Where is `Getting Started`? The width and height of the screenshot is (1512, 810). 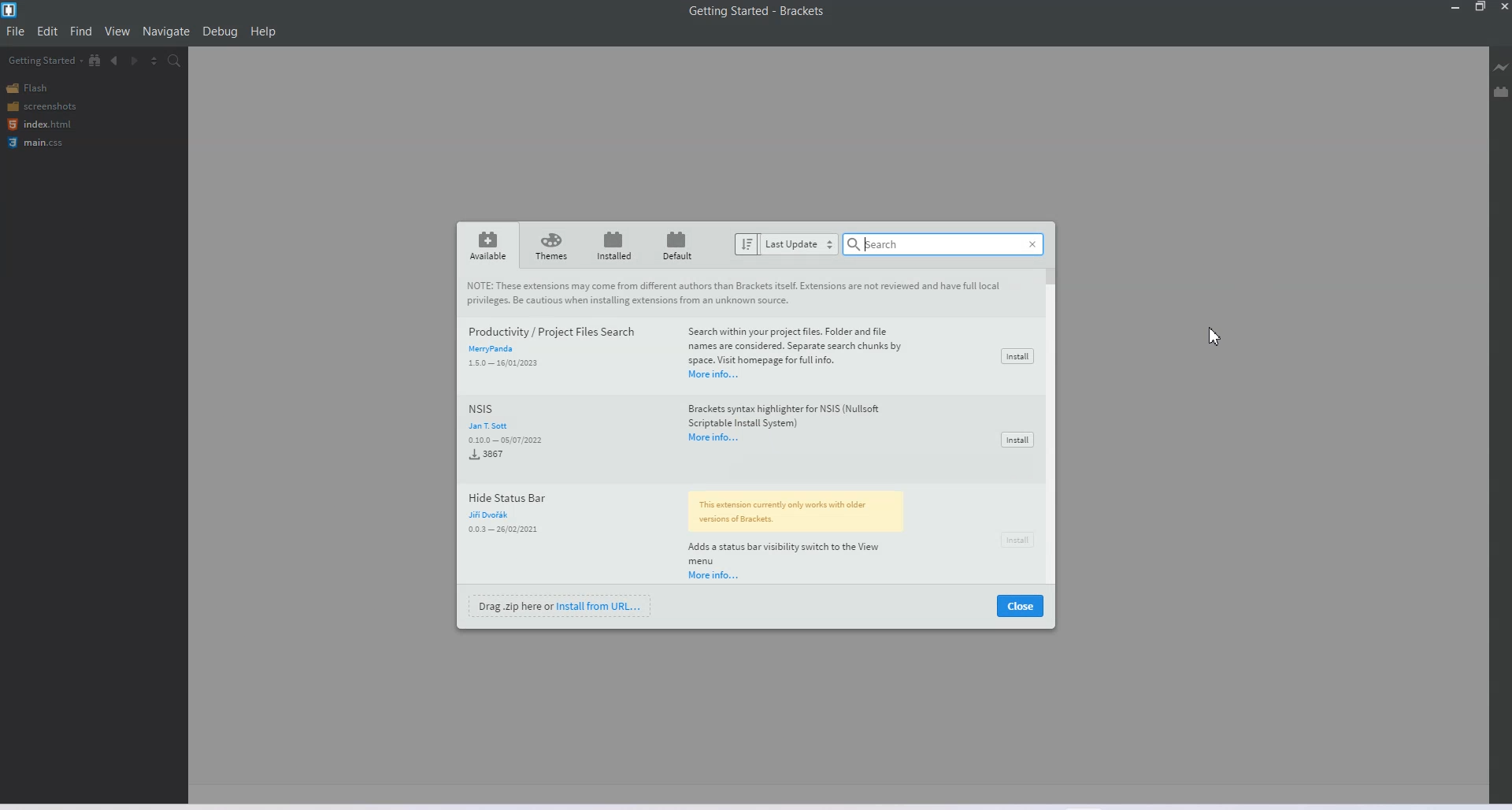 Getting Started is located at coordinates (45, 60).